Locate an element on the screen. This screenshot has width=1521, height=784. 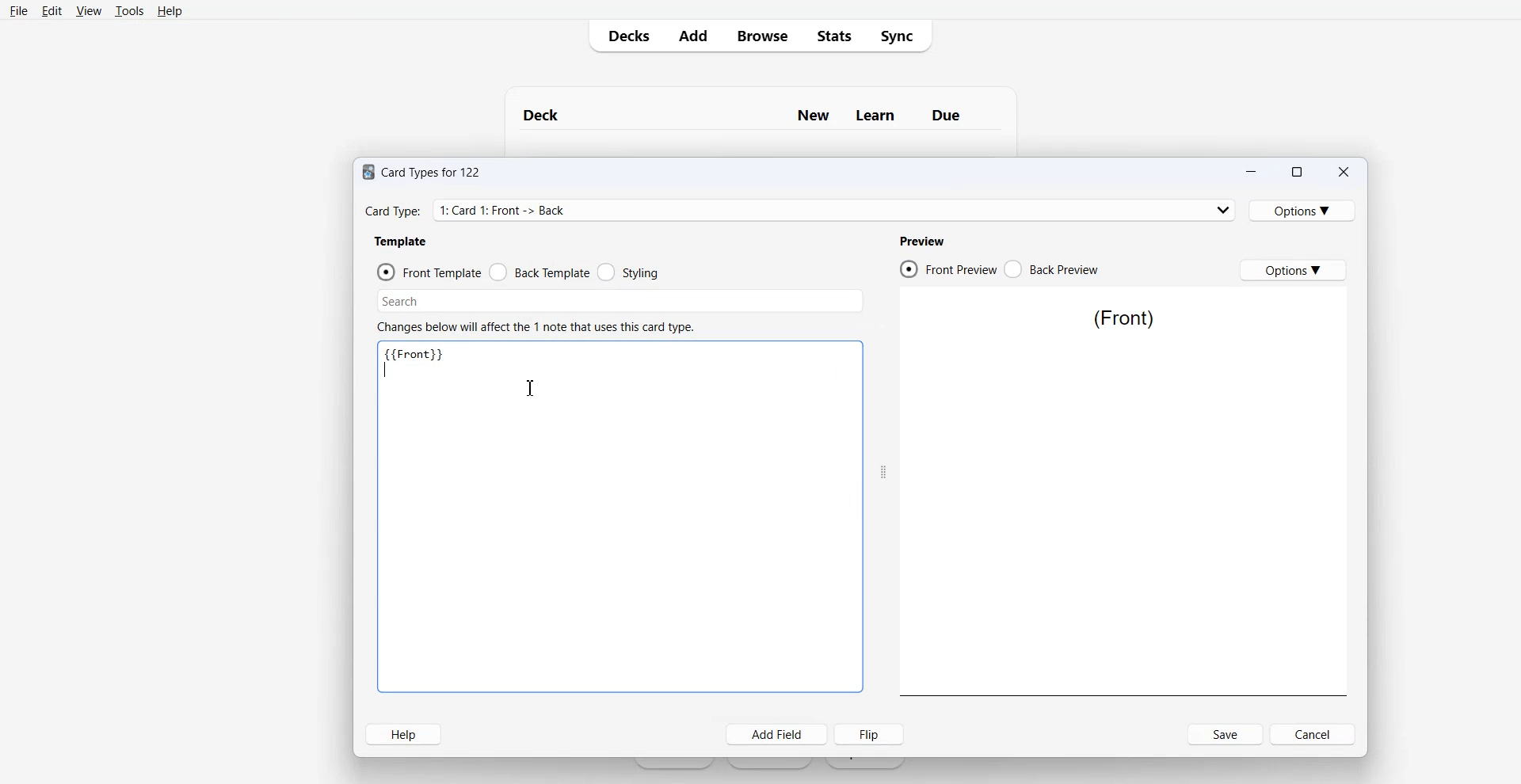
Edit is located at coordinates (51, 10).